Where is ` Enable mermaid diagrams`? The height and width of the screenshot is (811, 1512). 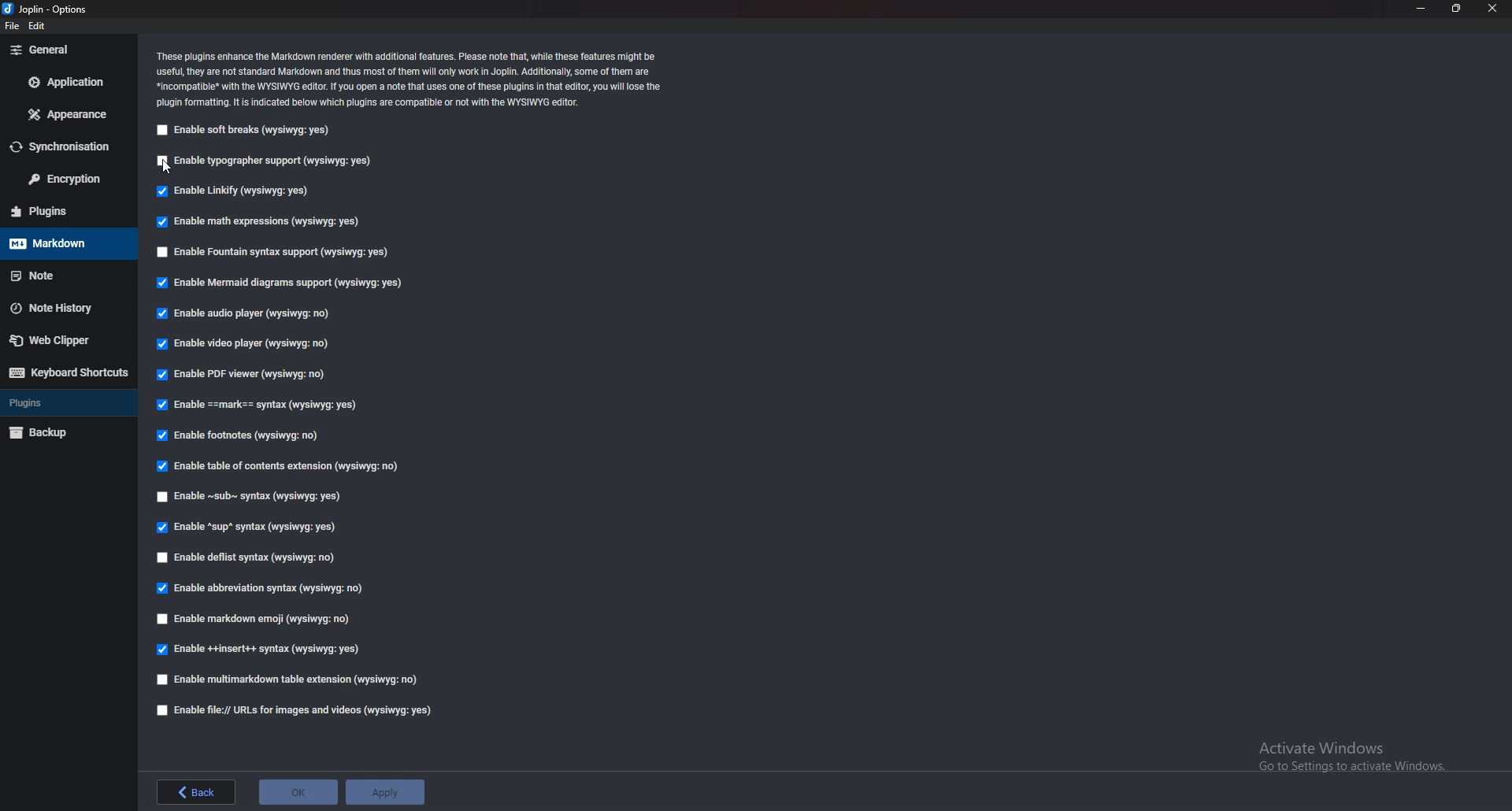
 Enable mermaid diagrams is located at coordinates (283, 283).